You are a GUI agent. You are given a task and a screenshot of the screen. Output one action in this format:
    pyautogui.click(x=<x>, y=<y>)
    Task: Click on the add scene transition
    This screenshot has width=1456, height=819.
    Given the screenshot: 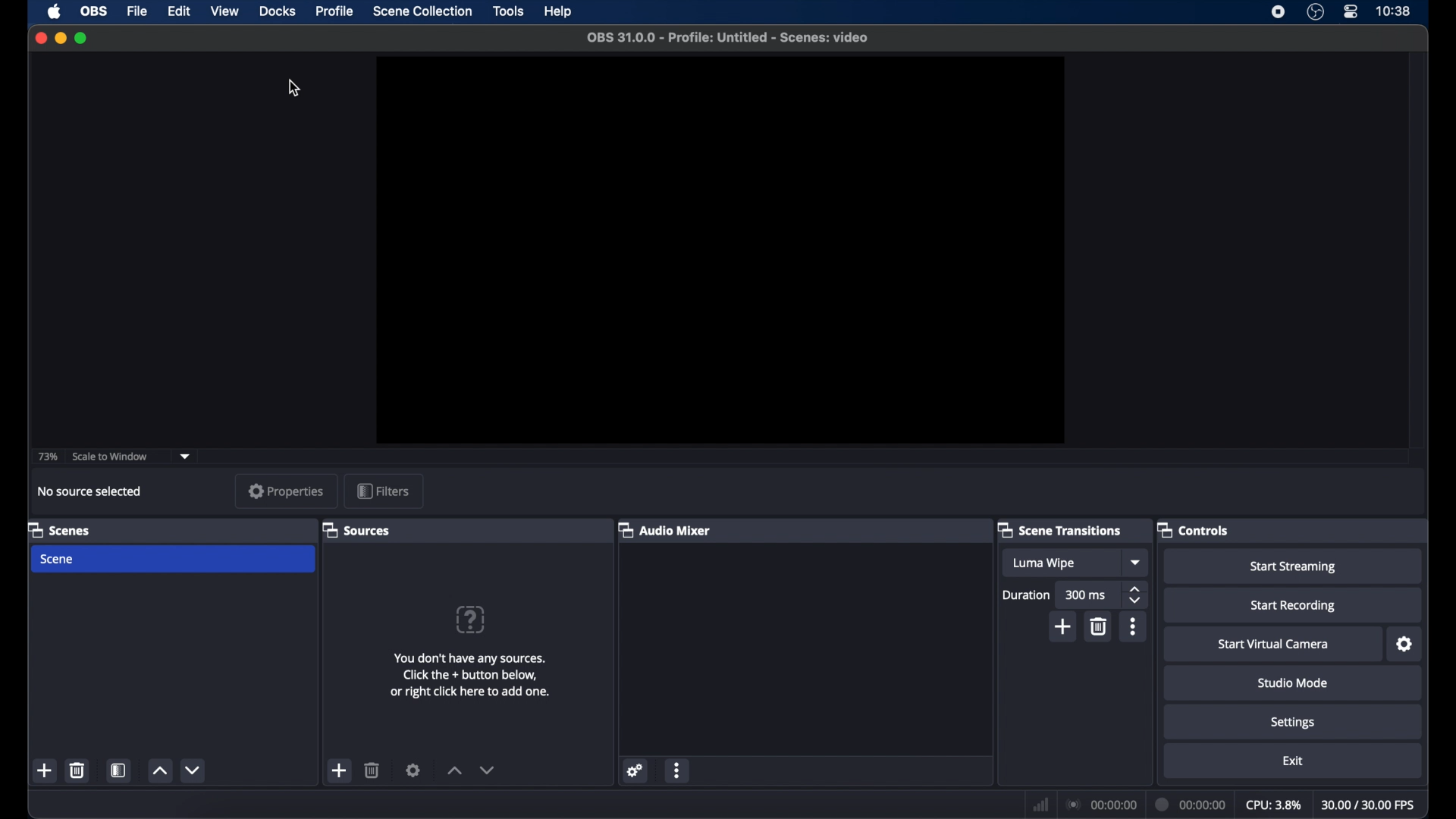 What is the action you would take?
    pyautogui.click(x=1062, y=628)
    